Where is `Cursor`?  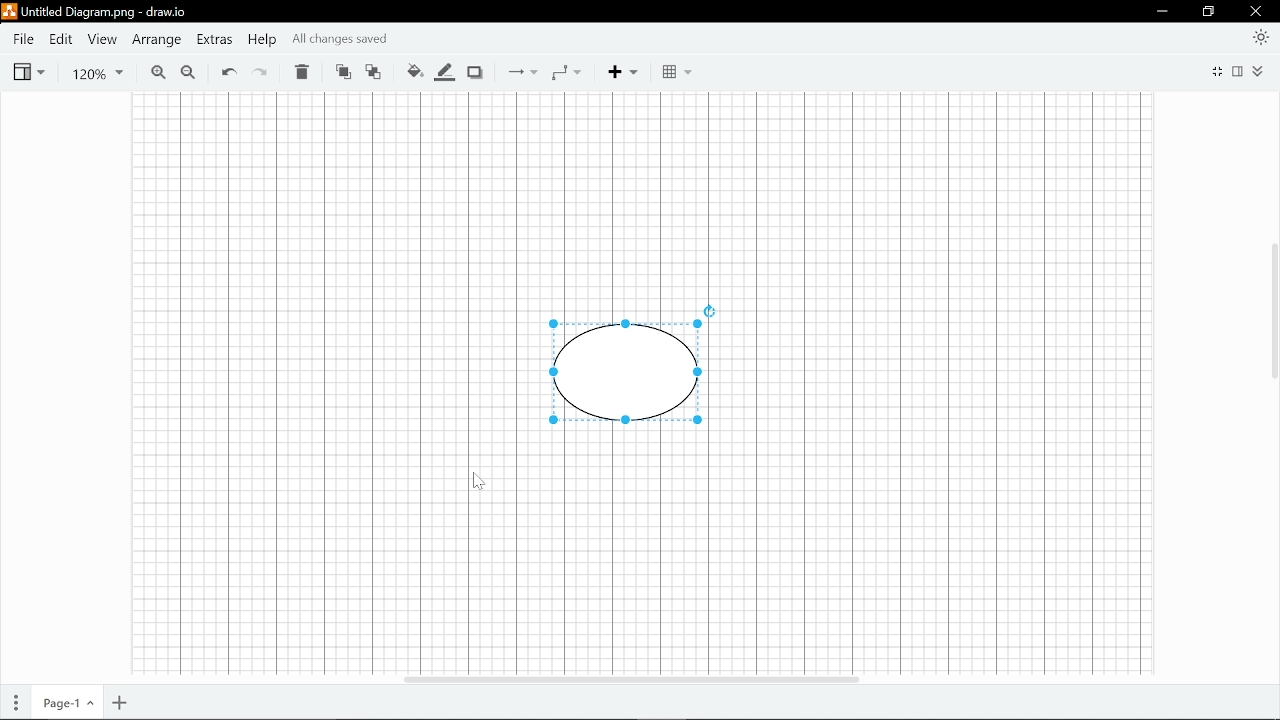
Cursor is located at coordinates (479, 480).